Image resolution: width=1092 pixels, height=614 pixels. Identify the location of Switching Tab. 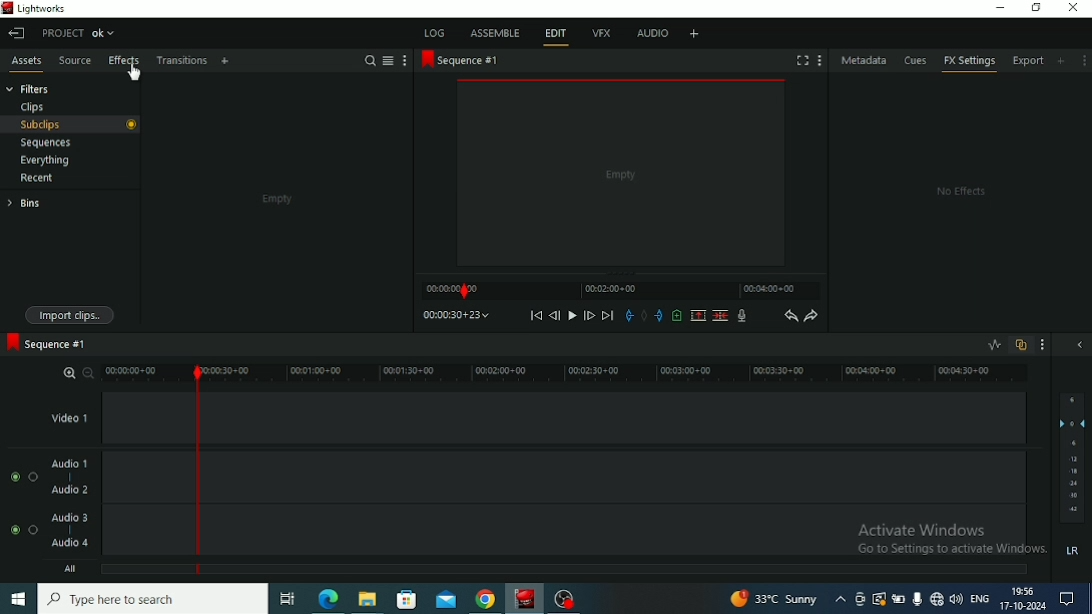
(287, 599).